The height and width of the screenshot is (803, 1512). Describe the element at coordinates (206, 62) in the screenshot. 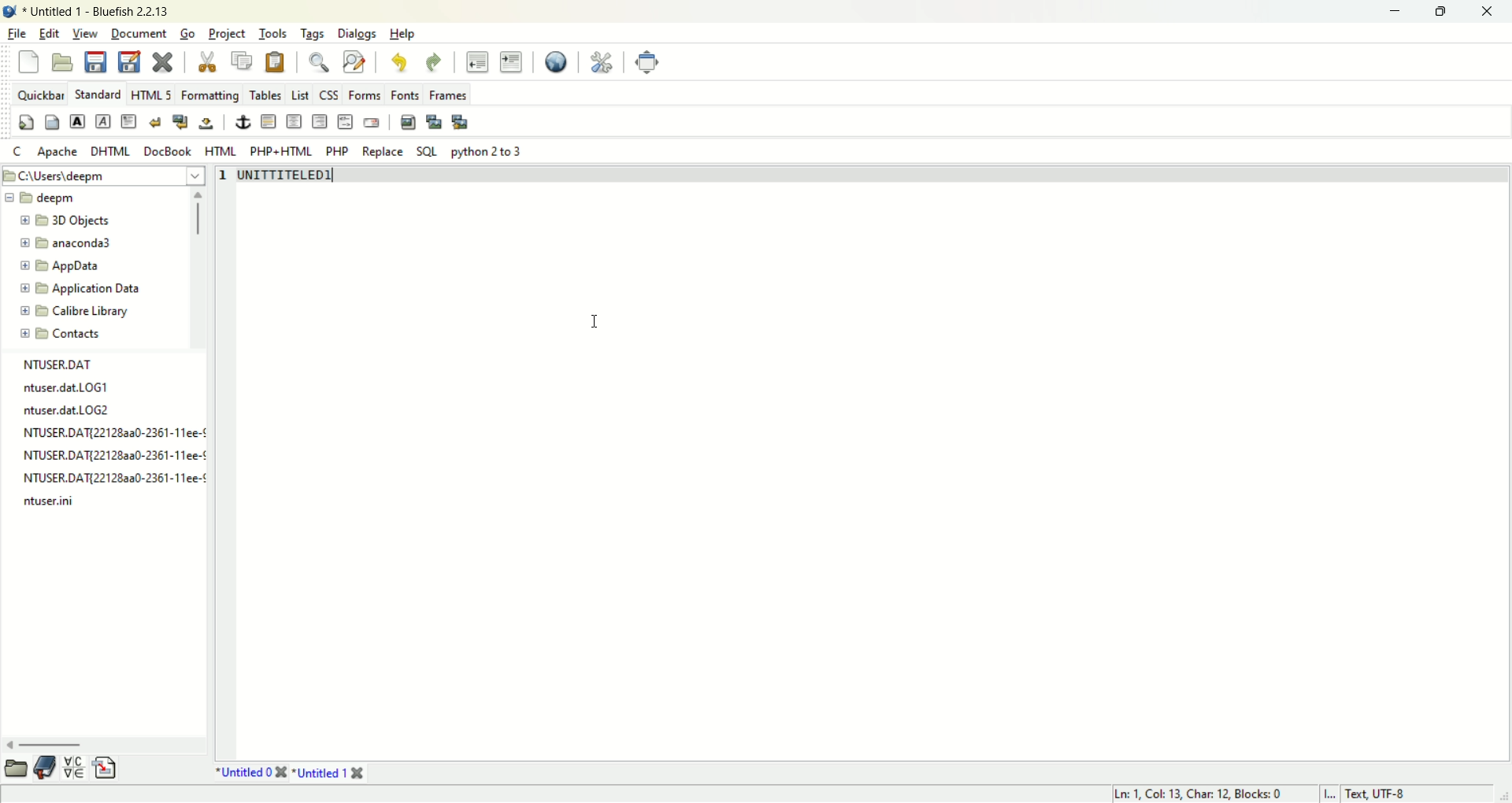

I see `cut` at that location.